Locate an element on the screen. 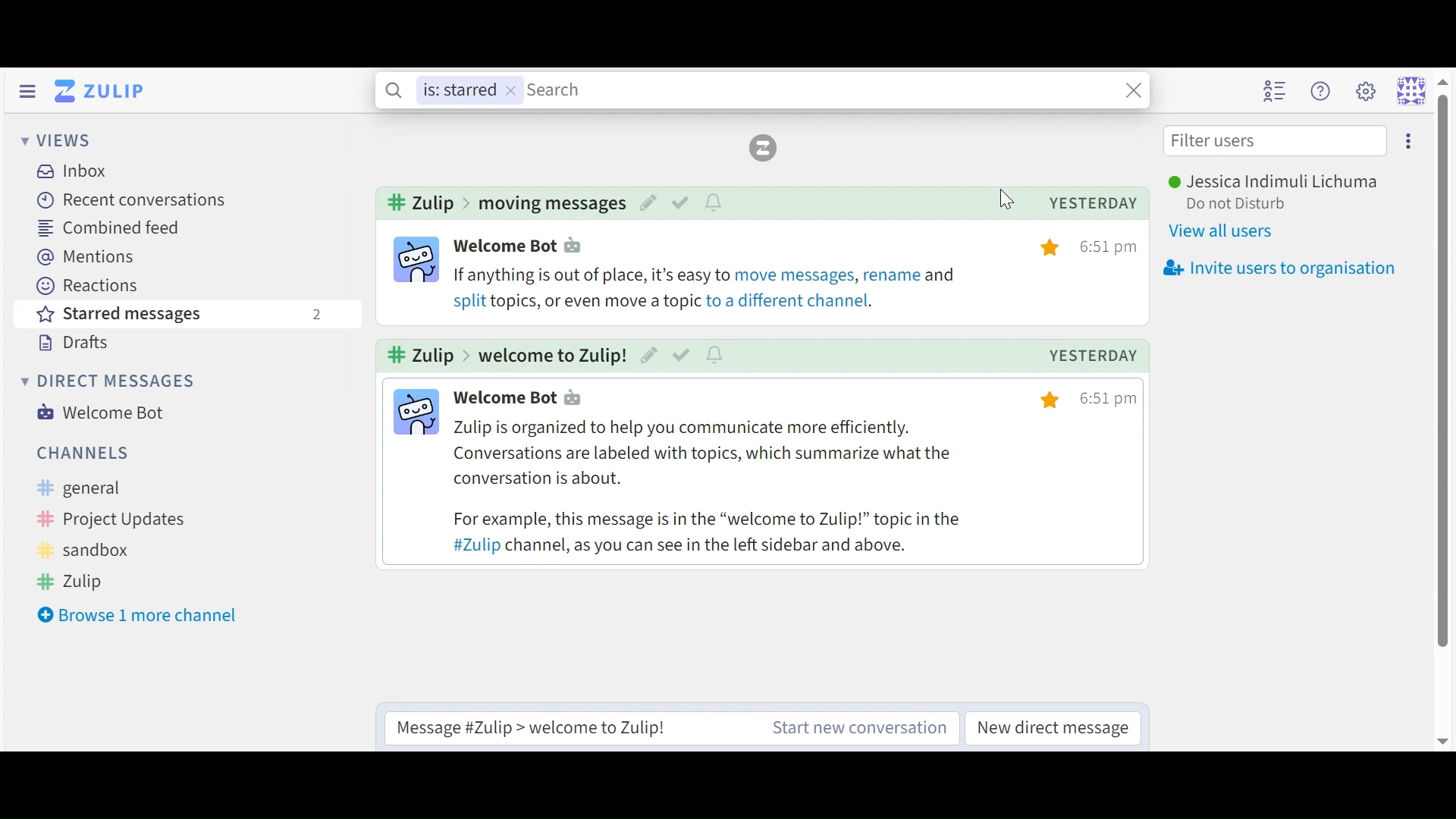 The width and height of the screenshot is (1456, 819). edit is located at coordinates (648, 204).